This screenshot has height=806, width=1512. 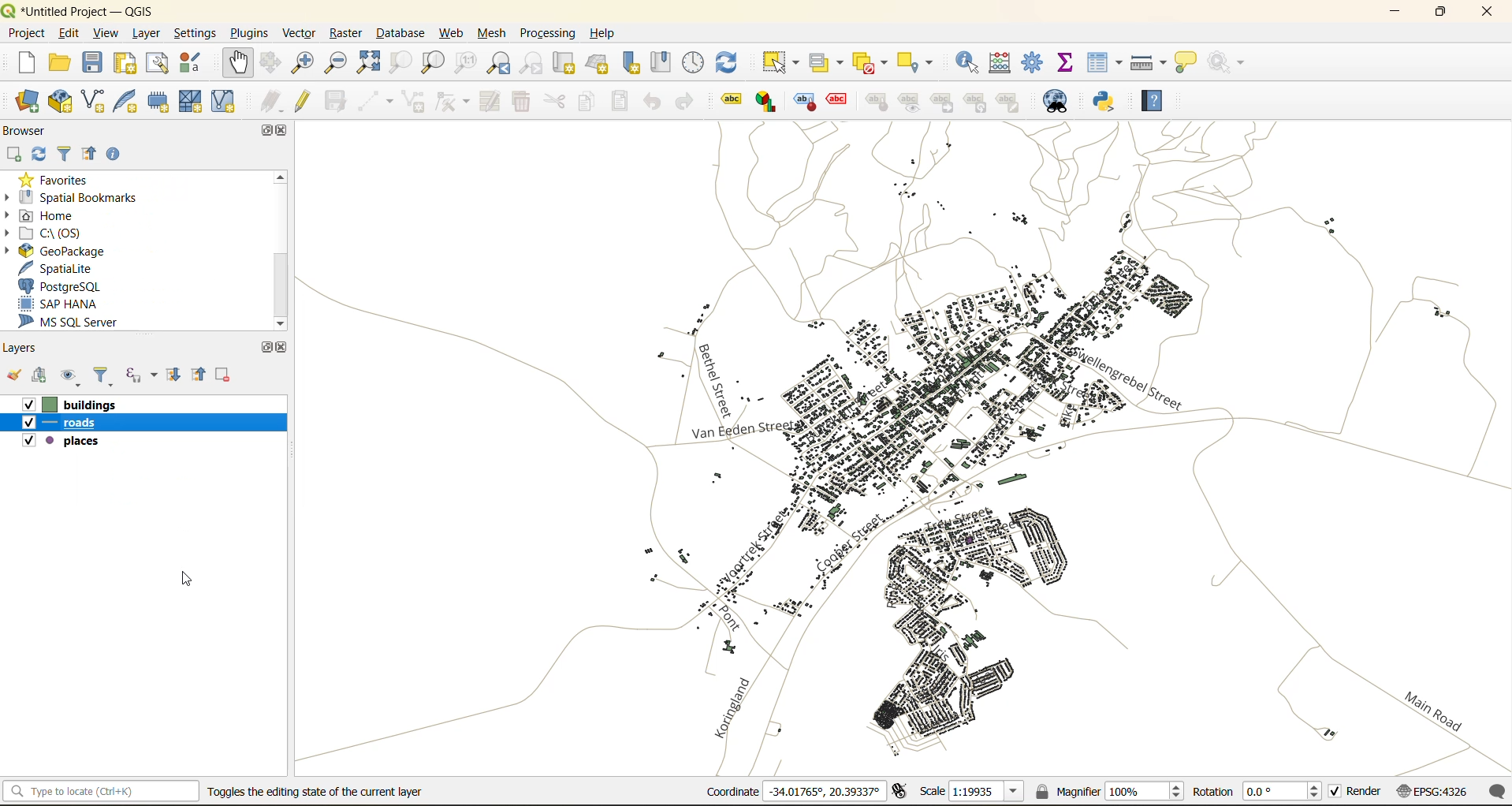 What do you see at coordinates (69, 376) in the screenshot?
I see `manage map` at bounding box center [69, 376].